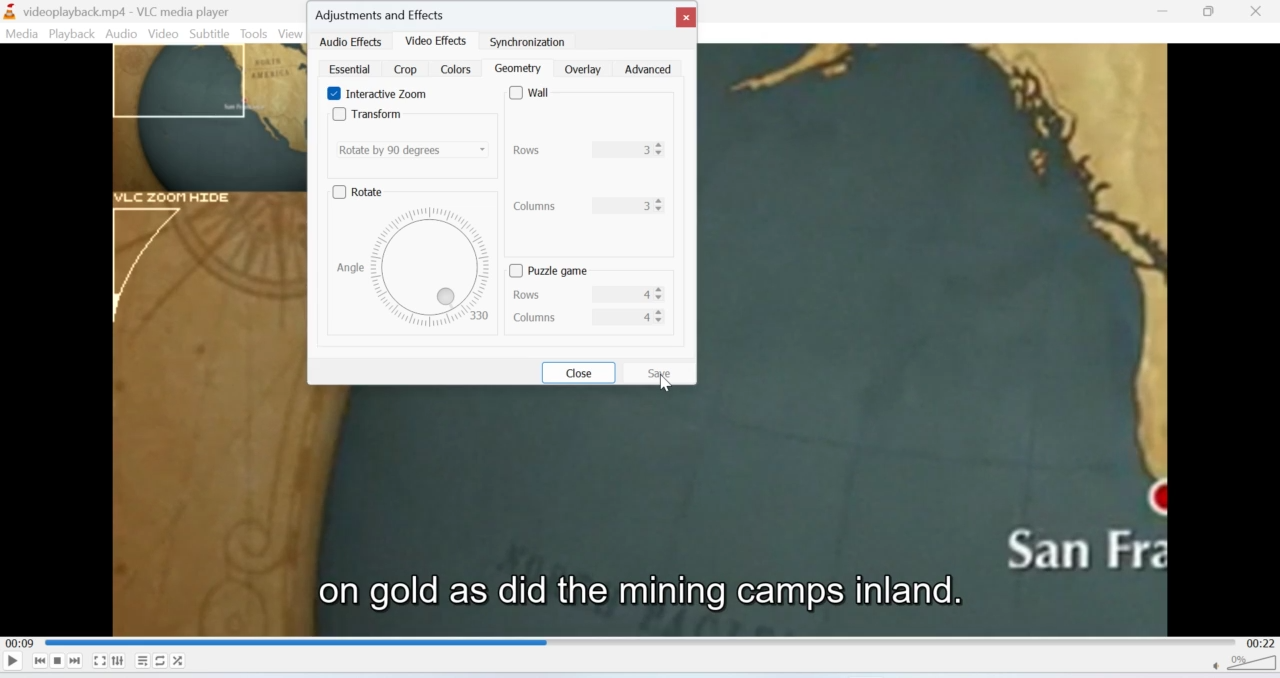 This screenshot has height=678, width=1280. I want to click on colors, so click(455, 69).